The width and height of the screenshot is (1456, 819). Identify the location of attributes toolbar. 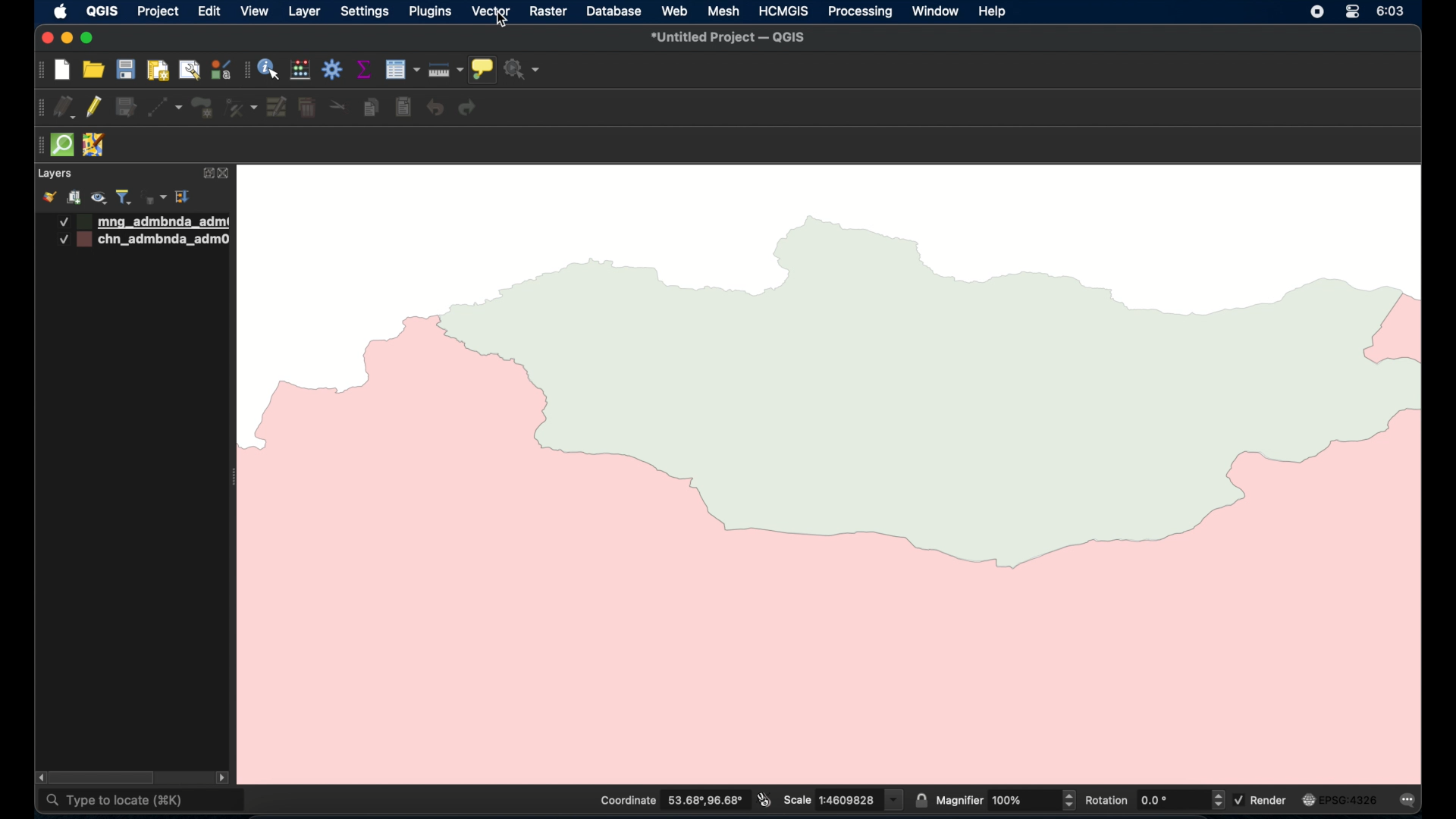
(246, 71).